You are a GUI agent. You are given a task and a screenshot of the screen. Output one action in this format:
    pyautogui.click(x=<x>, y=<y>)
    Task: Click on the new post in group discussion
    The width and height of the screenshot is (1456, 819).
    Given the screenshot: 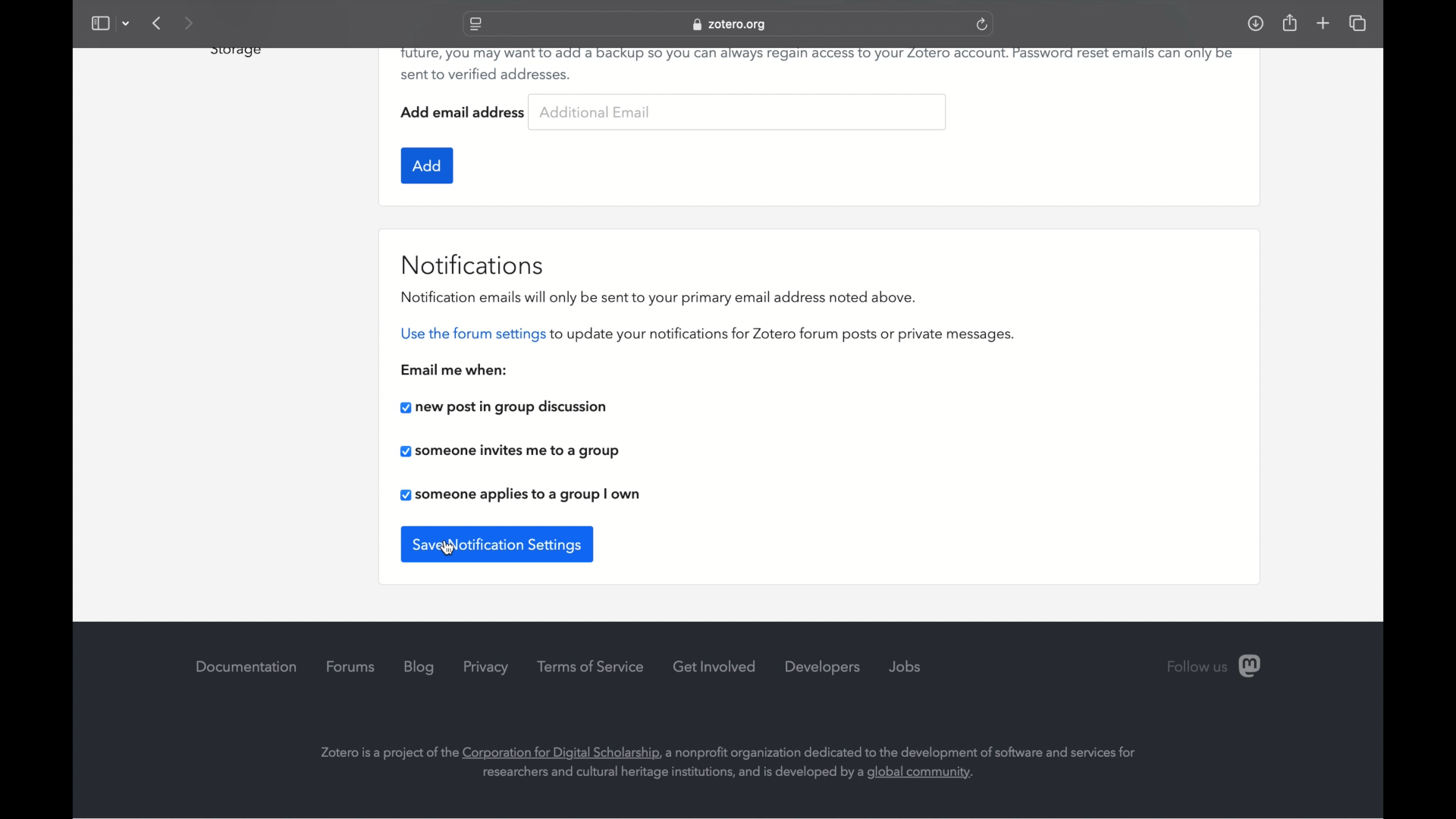 What is the action you would take?
    pyautogui.click(x=502, y=406)
    